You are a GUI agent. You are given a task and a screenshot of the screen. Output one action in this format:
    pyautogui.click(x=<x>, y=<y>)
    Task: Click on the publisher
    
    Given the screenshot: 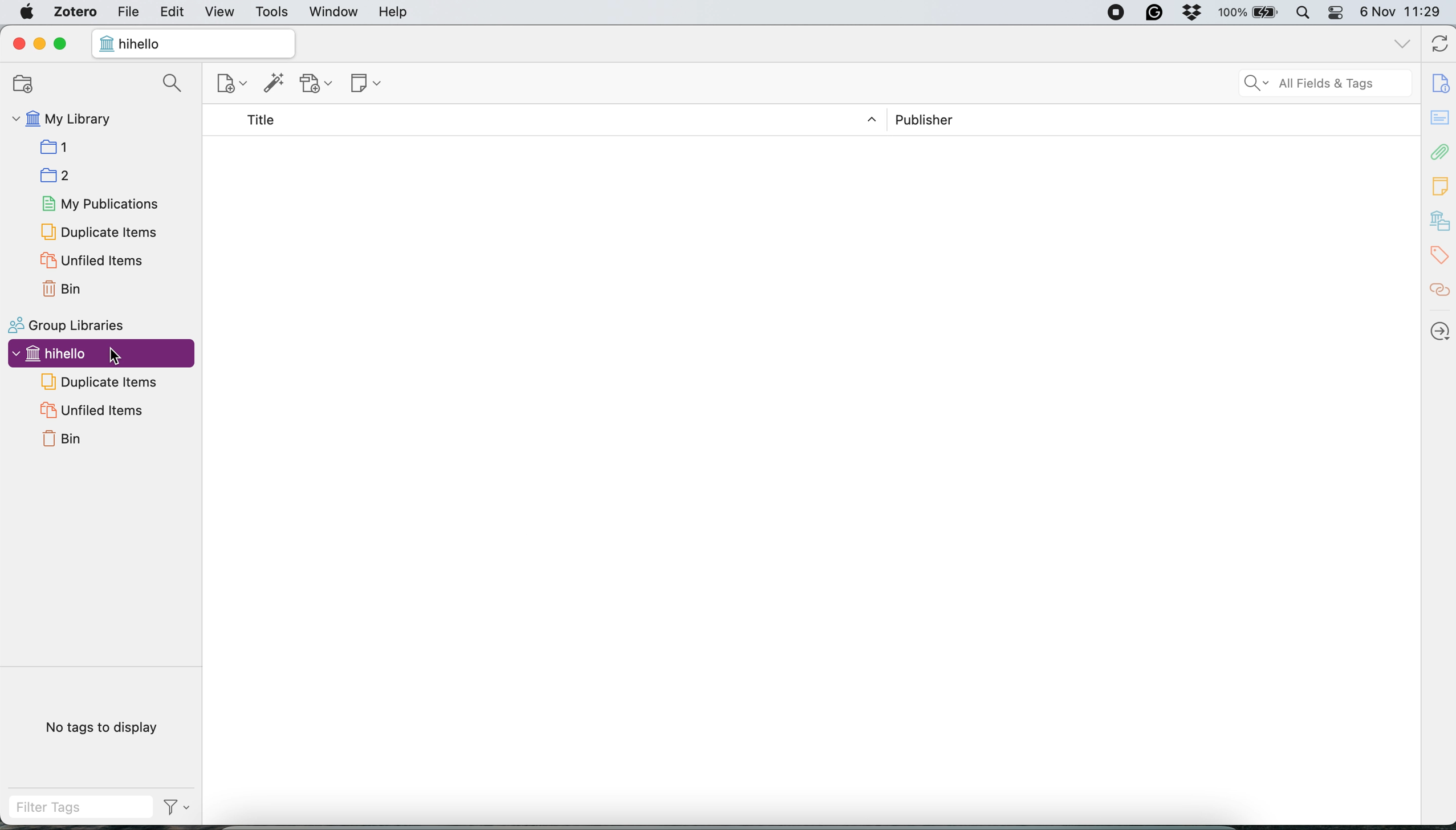 What is the action you would take?
    pyautogui.click(x=932, y=121)
    